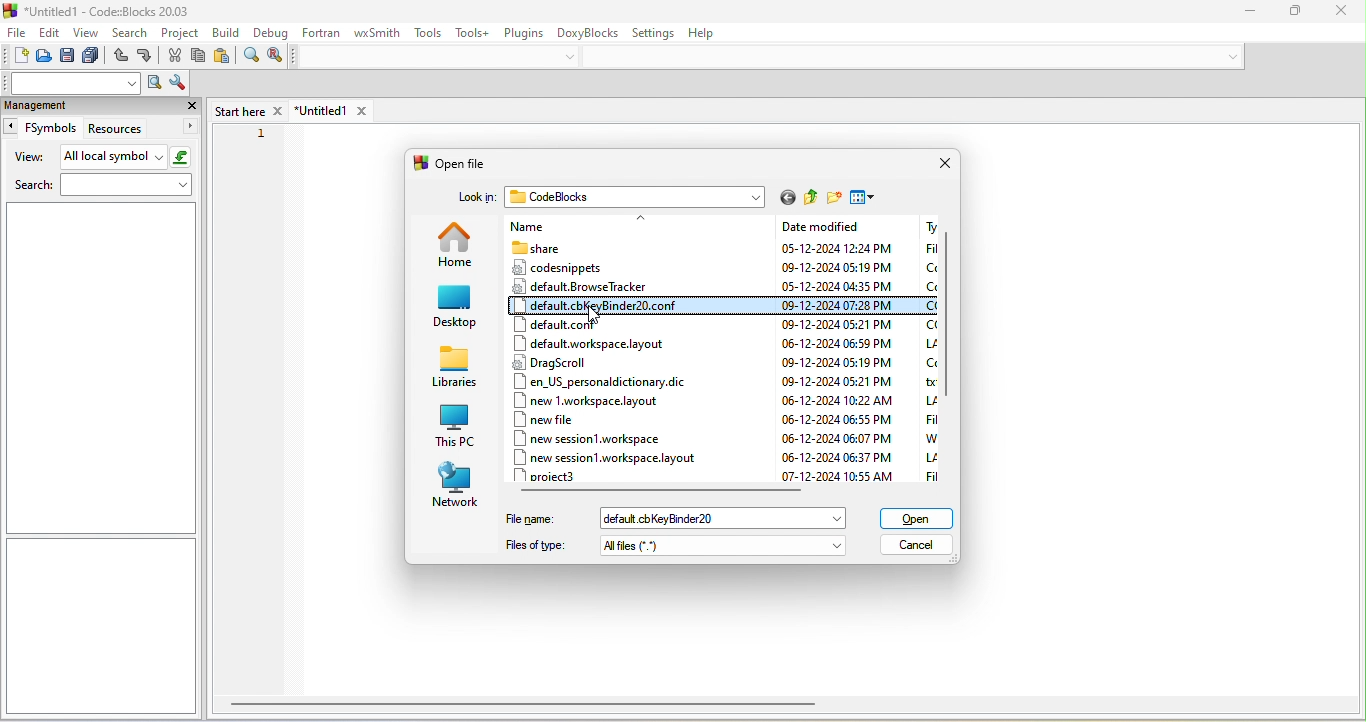 The height and width of the screenshot is (722, 1366). Describe the element at coordinates (837, 419) in the screenshot. I see `date` at that location.